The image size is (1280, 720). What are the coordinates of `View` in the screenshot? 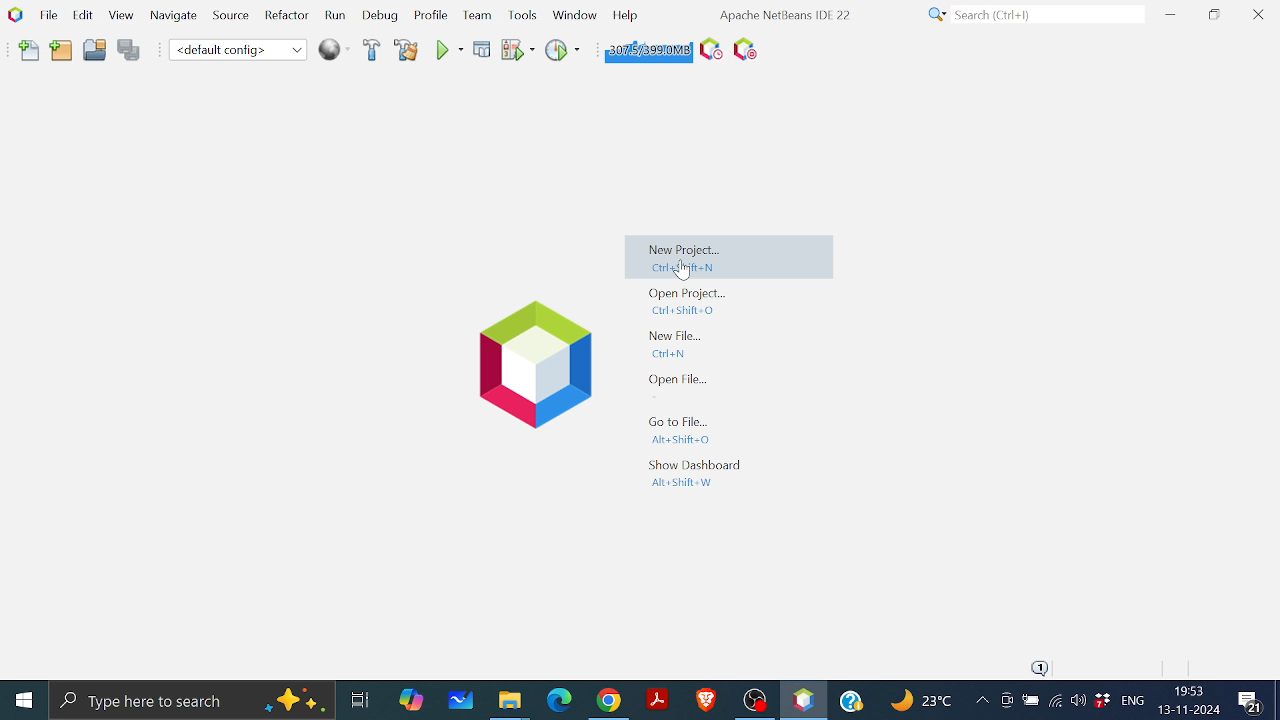 It's located at (120, 16).